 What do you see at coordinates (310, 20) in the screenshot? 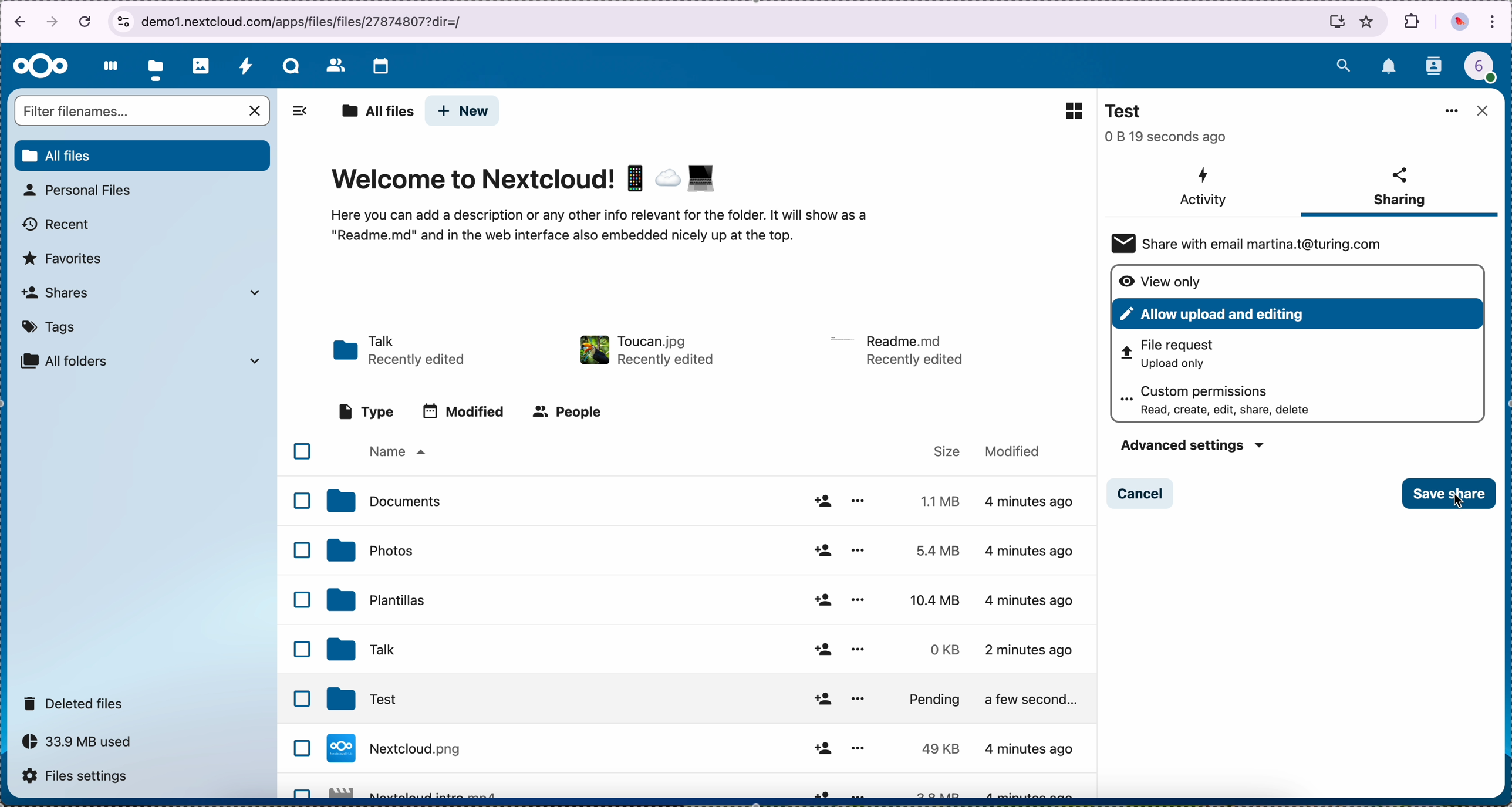
I see `URL` at bounding box center [310, 20].